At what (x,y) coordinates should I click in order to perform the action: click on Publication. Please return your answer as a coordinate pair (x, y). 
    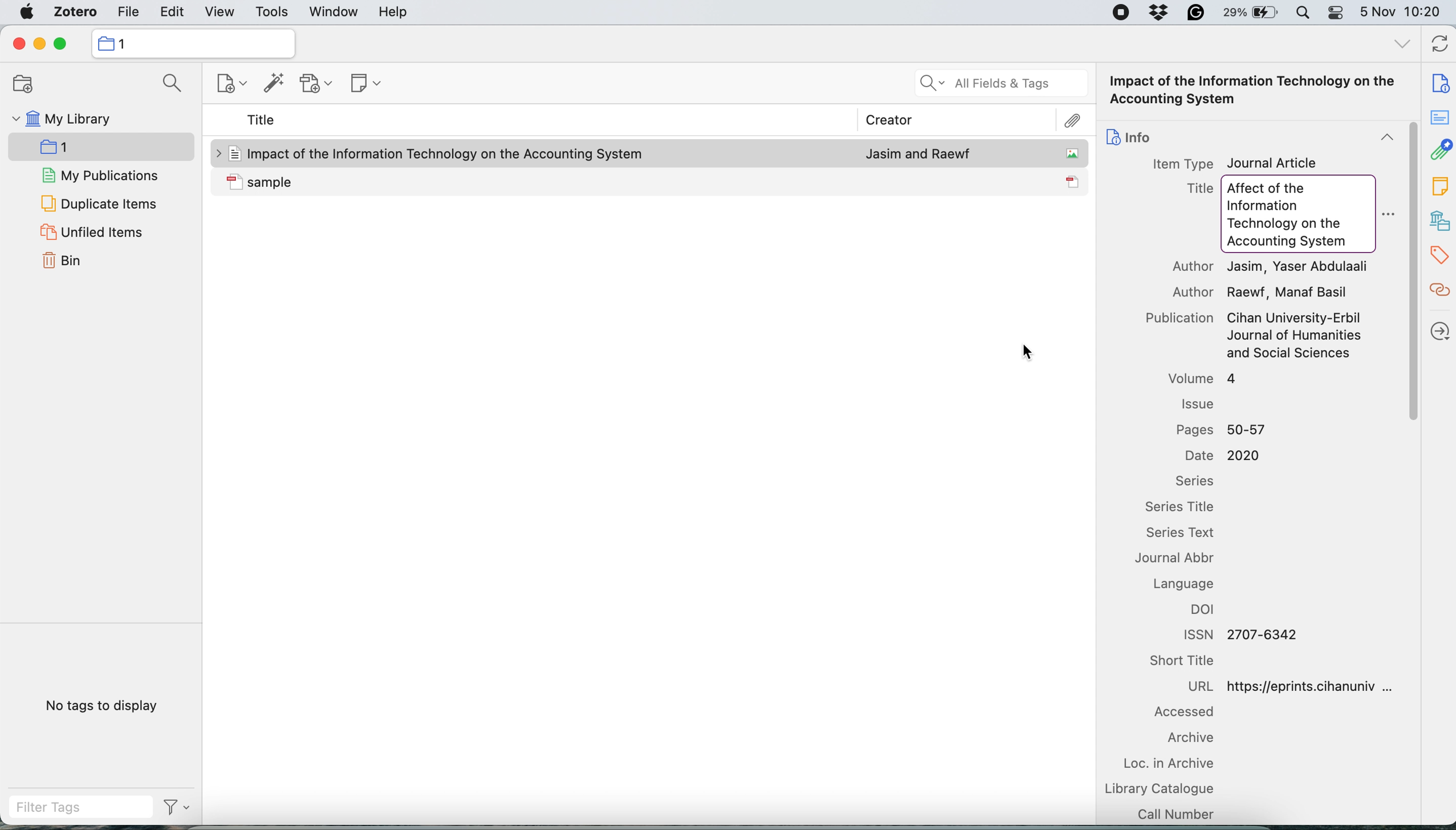
    Looking at the image, I should click on (1181, 318).